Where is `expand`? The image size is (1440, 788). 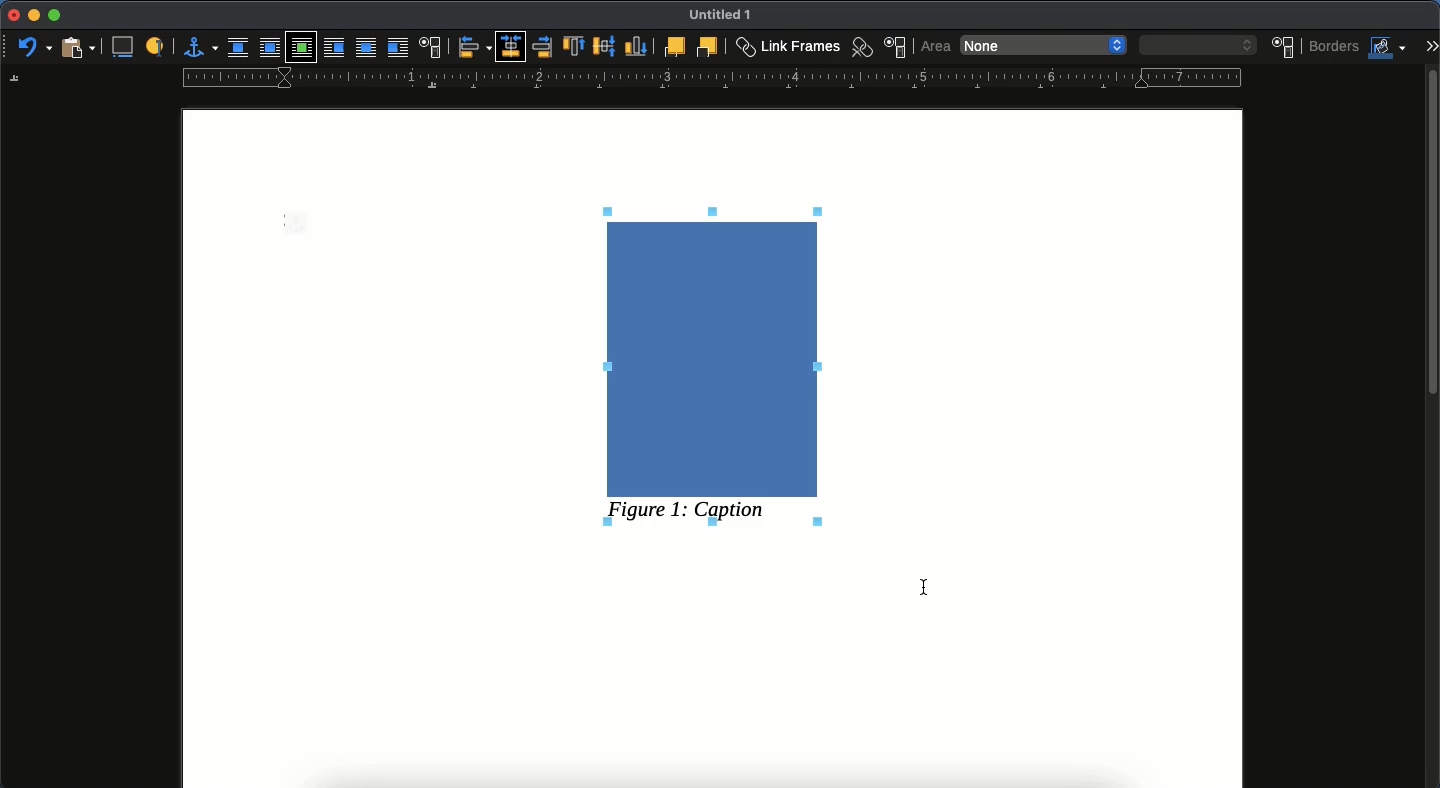
expand is located at coordinates (1431, 45).